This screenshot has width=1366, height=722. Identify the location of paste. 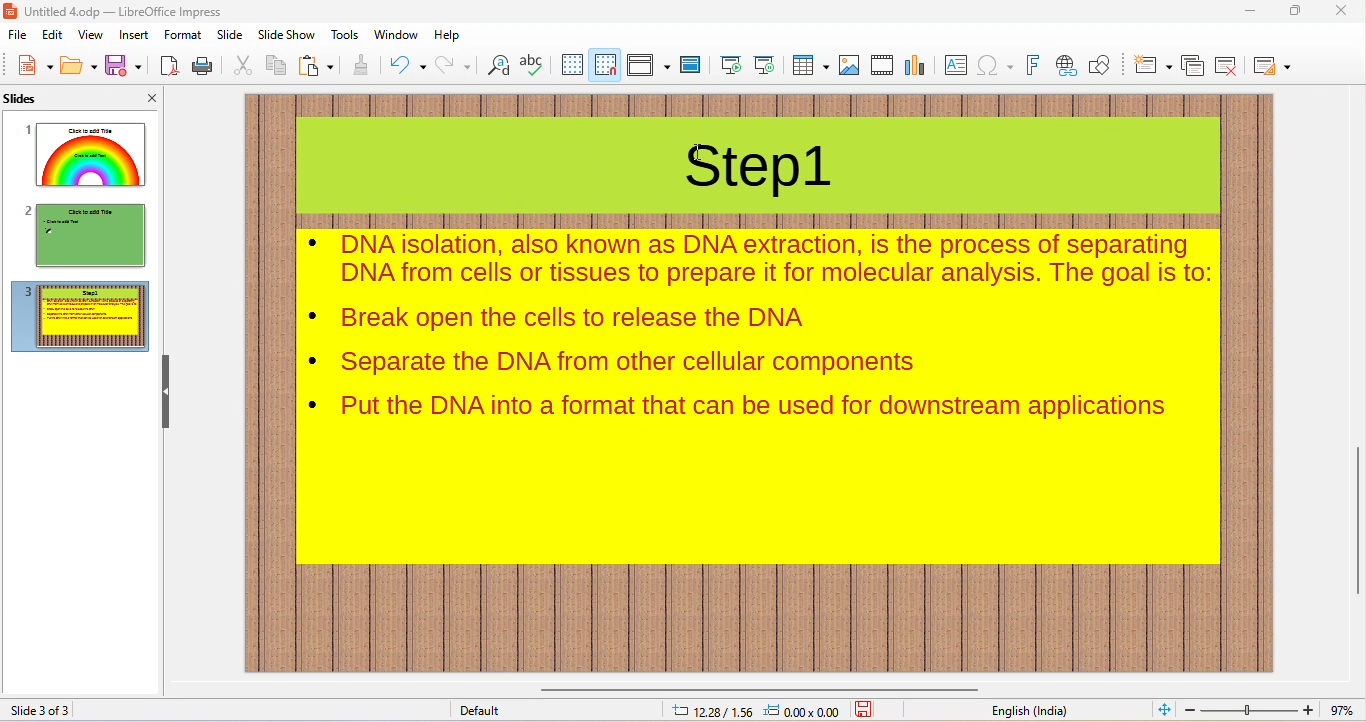
(317, 67).